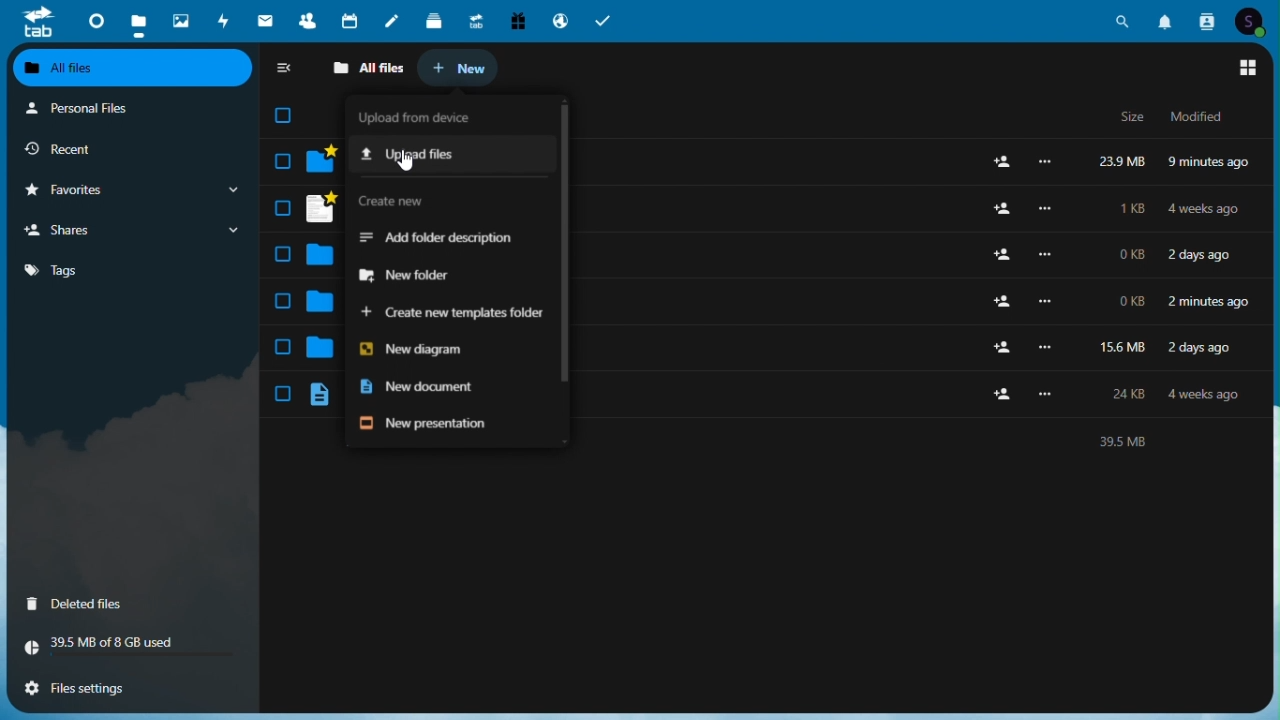  I want to click on Shares, so click(126, 233).